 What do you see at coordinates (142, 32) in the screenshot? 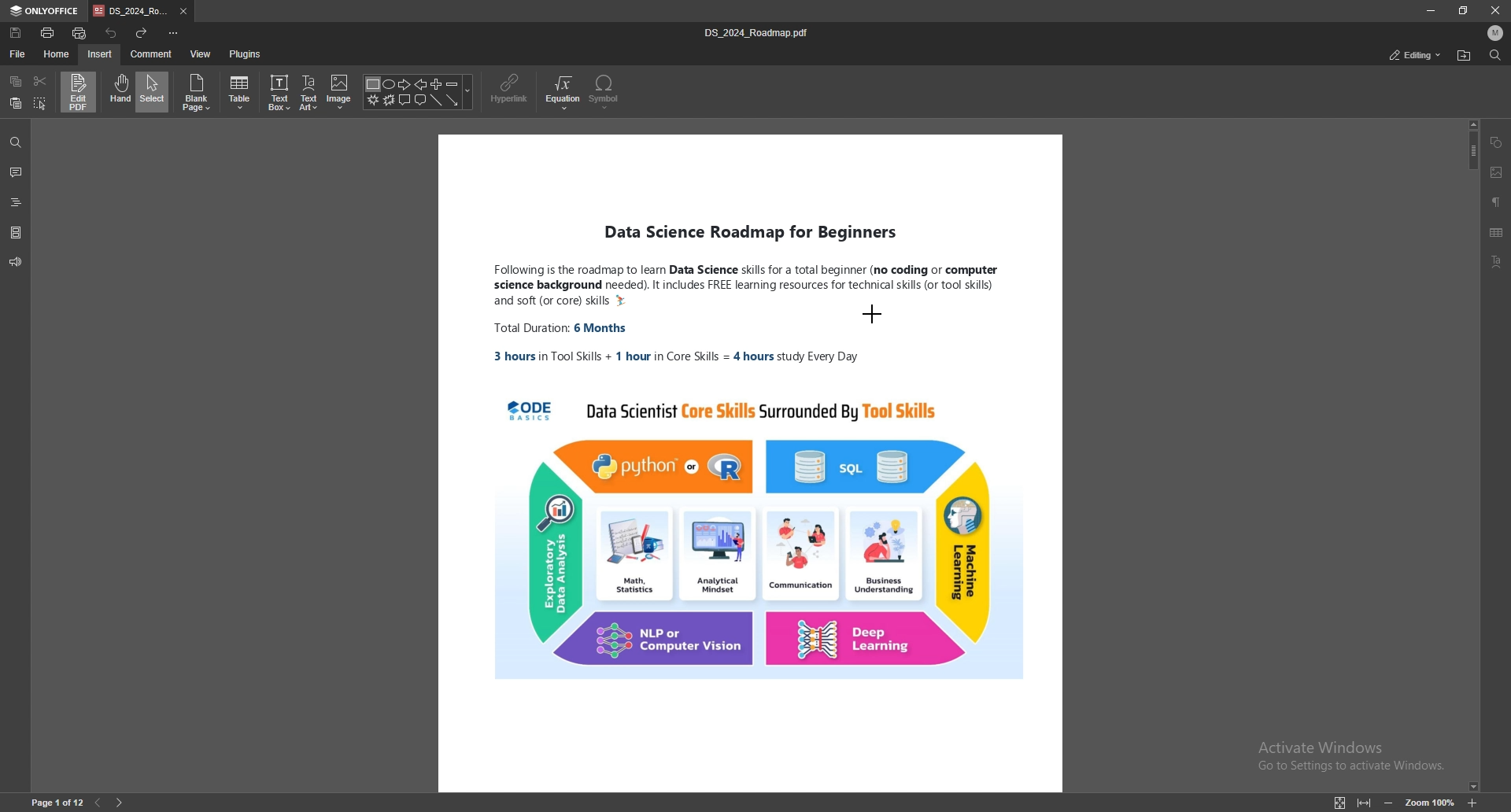
I see `redo` at bounding box center [142, 32].